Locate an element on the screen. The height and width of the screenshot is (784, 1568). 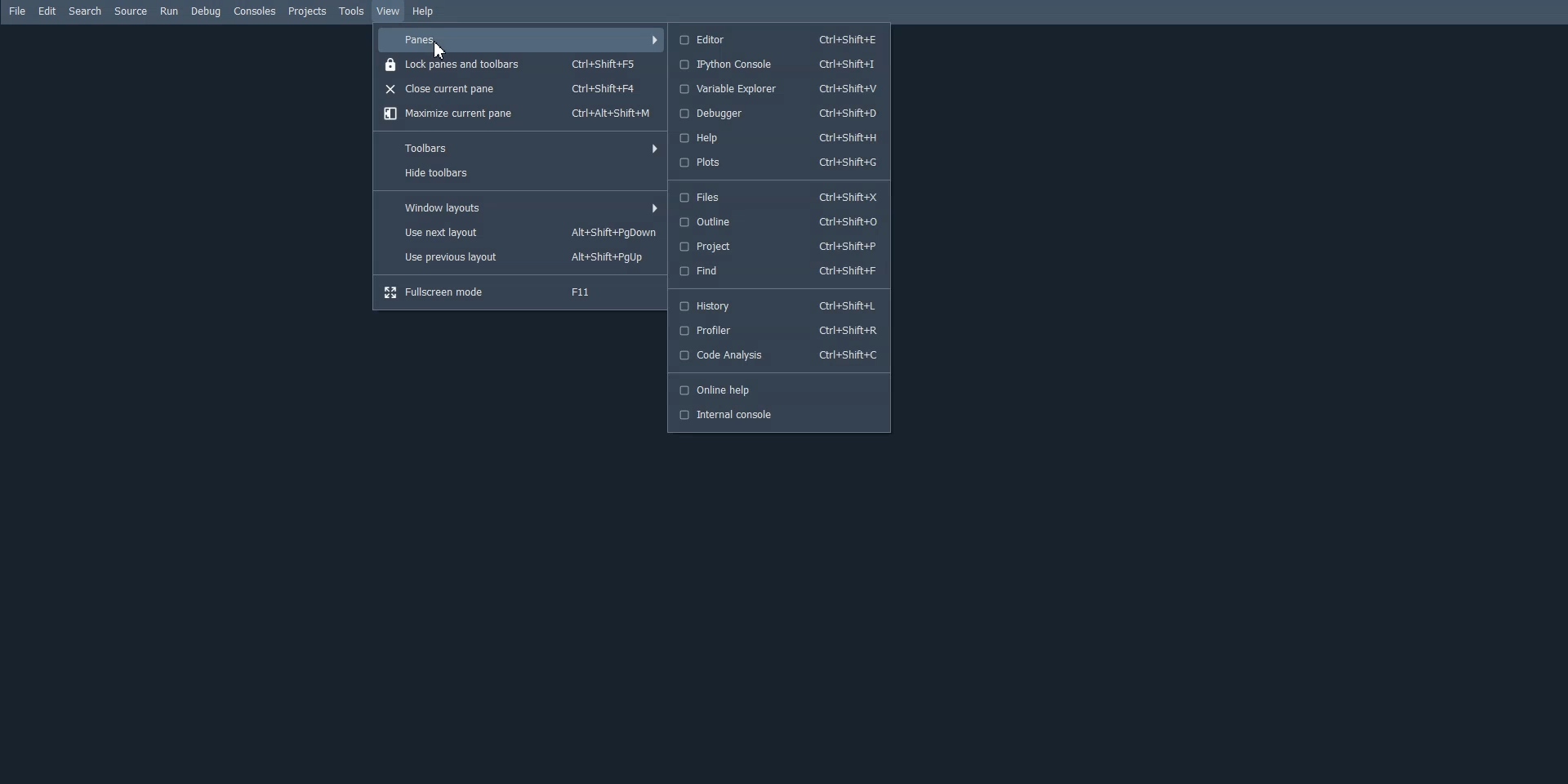
Debugger is located at coordinates (777, 113).